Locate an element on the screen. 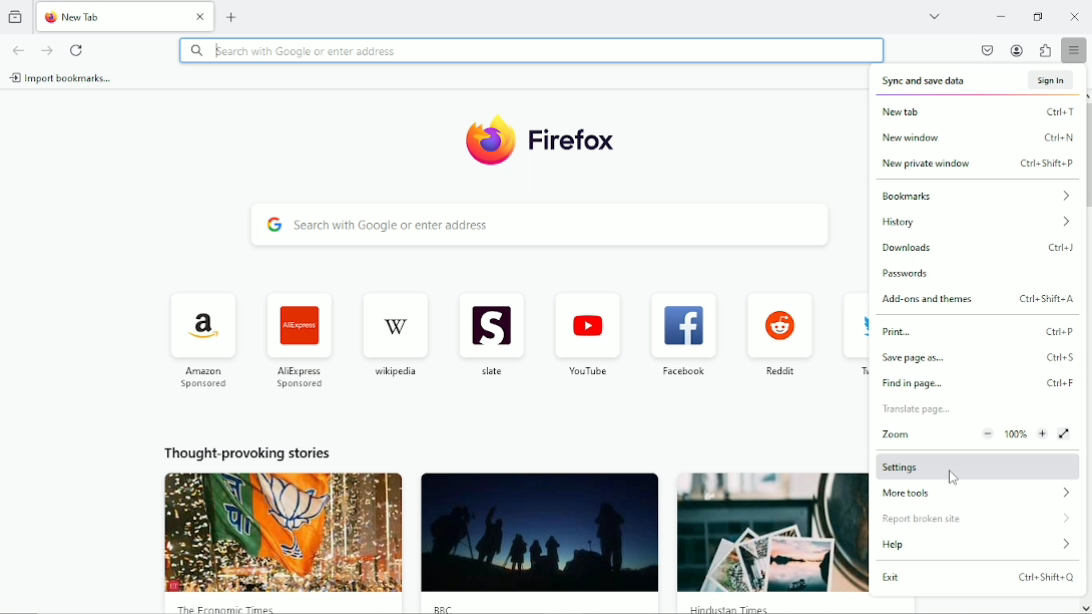 The height and width of the screenshot is (614, 1092). Zoom is located at coordinates (962, 433).